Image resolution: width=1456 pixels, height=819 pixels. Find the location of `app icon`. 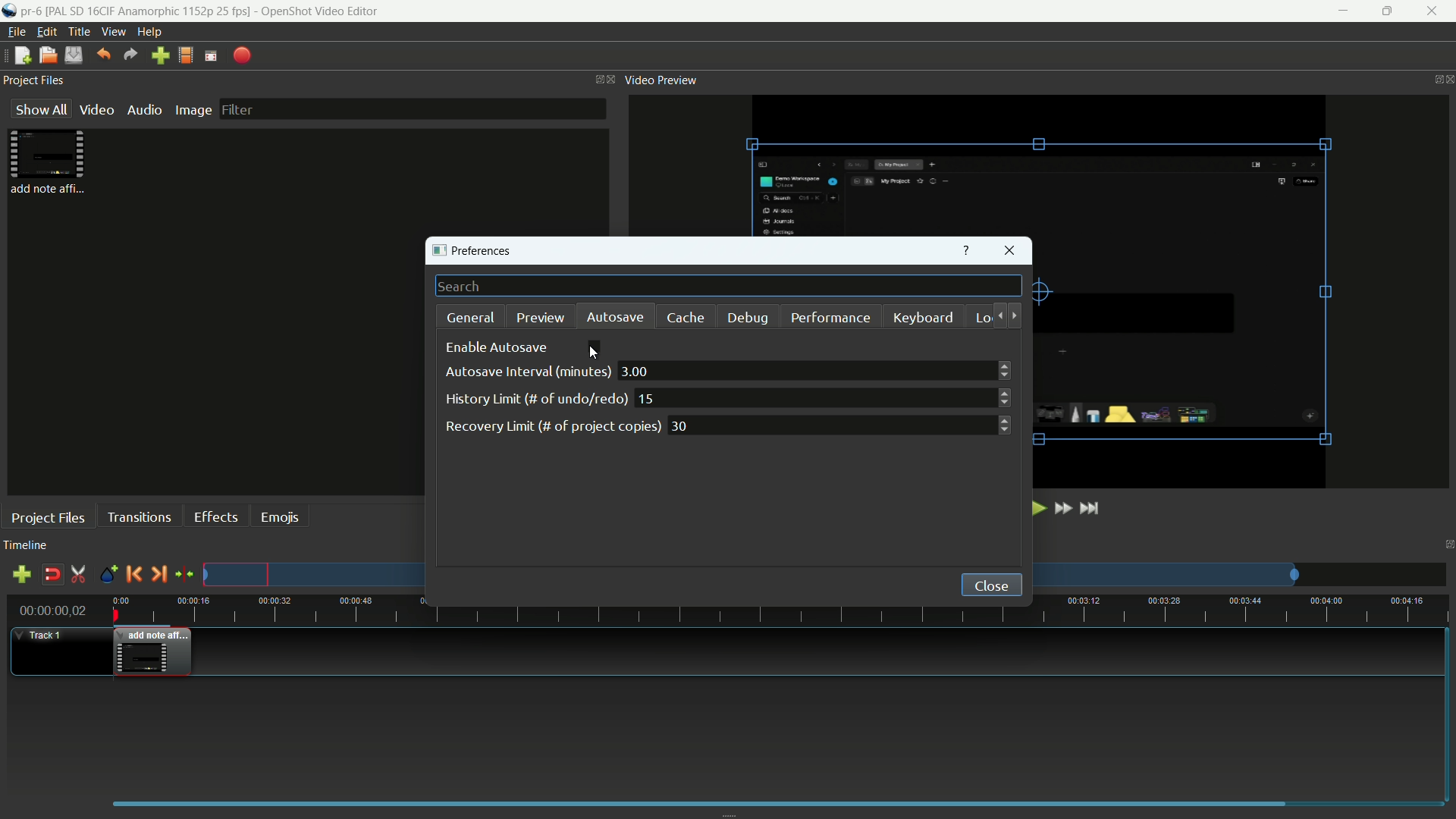

app icon is located at coordinates (9, 12).